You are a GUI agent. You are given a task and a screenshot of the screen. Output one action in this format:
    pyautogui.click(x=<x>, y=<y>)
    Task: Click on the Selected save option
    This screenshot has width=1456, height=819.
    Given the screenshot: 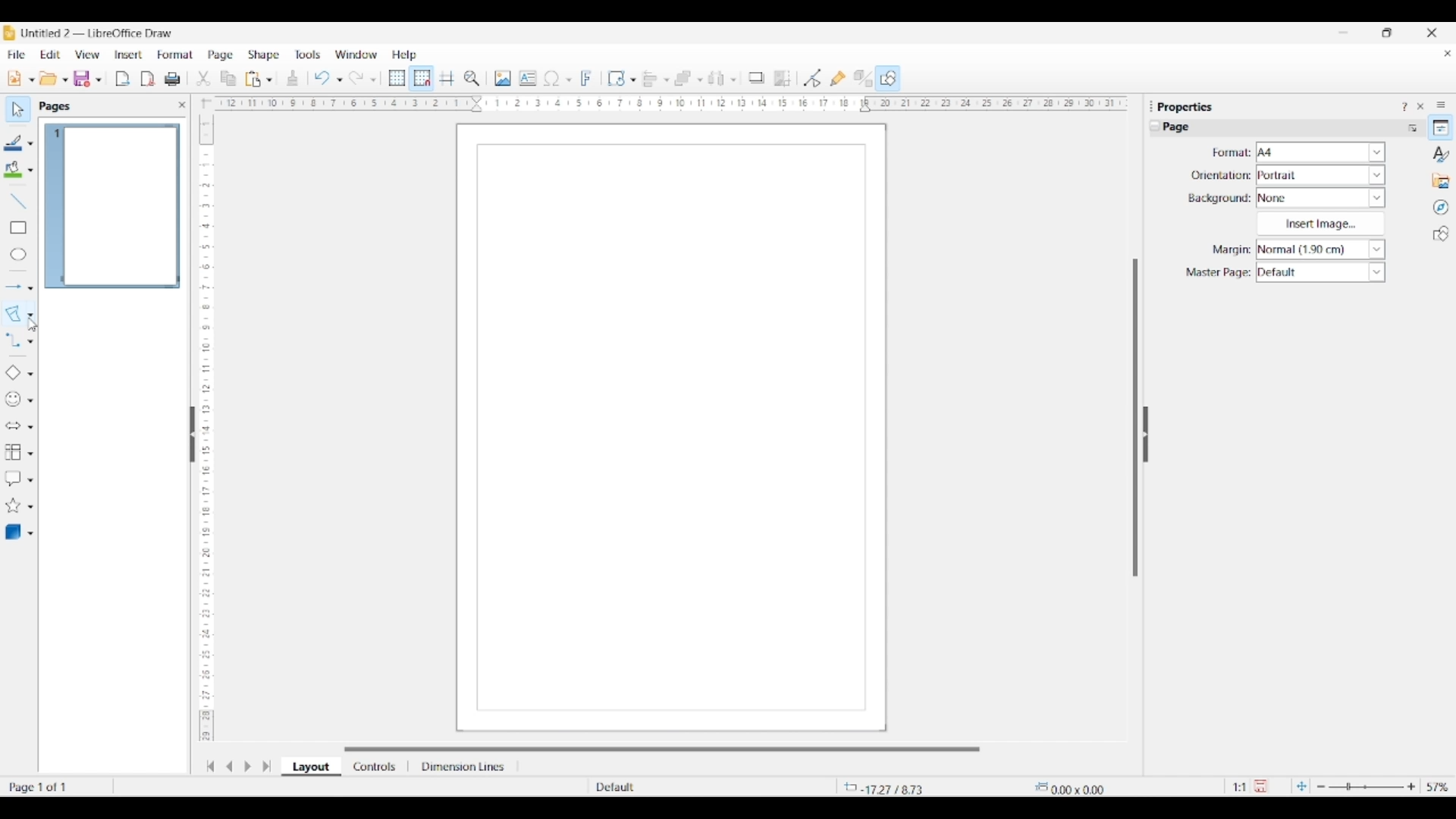 What is the action you would take?
    pyautogui.click(x=83, y=78)
    